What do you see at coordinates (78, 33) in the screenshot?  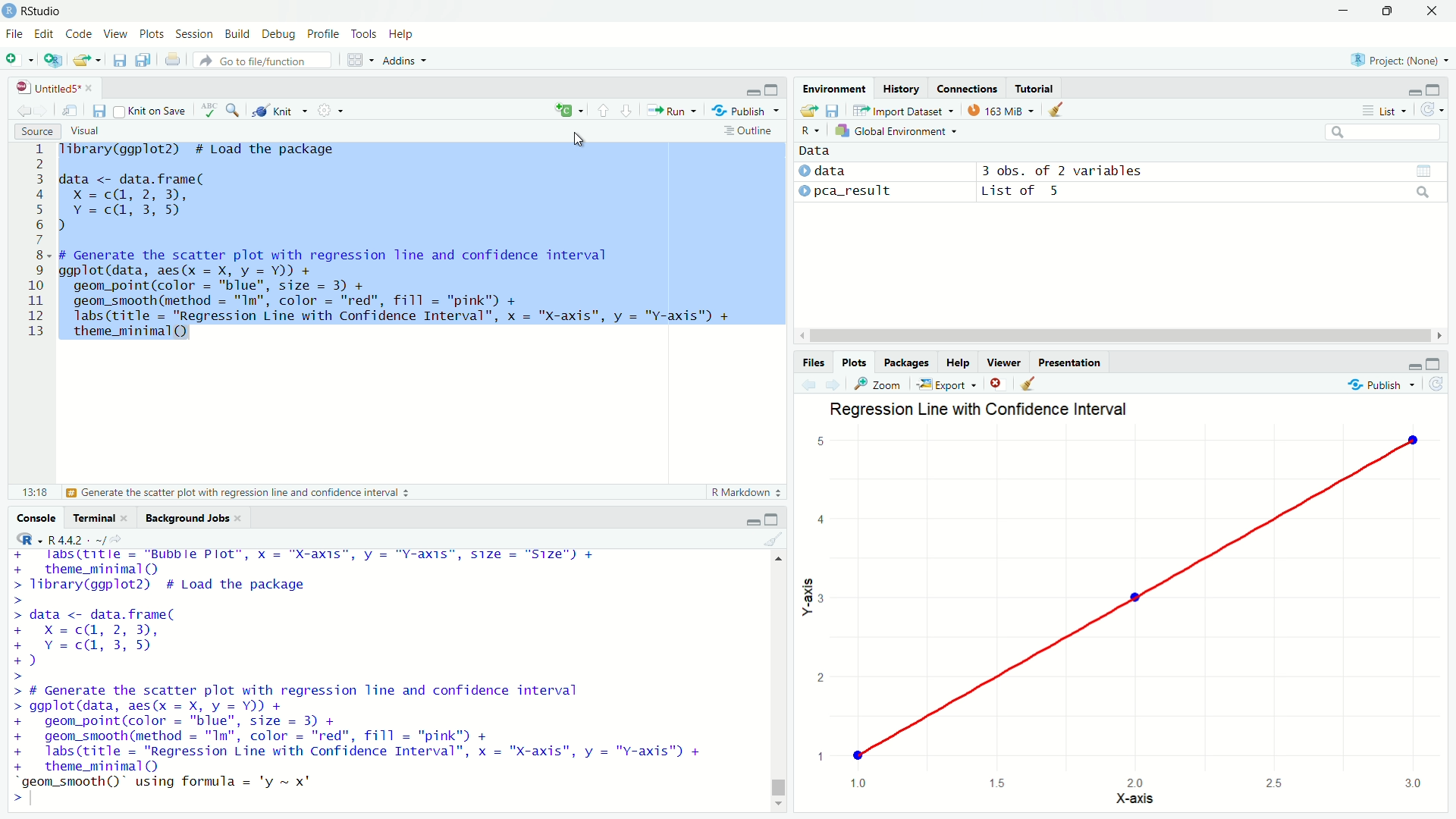 I see `Code` at bounding box center [78, 33].